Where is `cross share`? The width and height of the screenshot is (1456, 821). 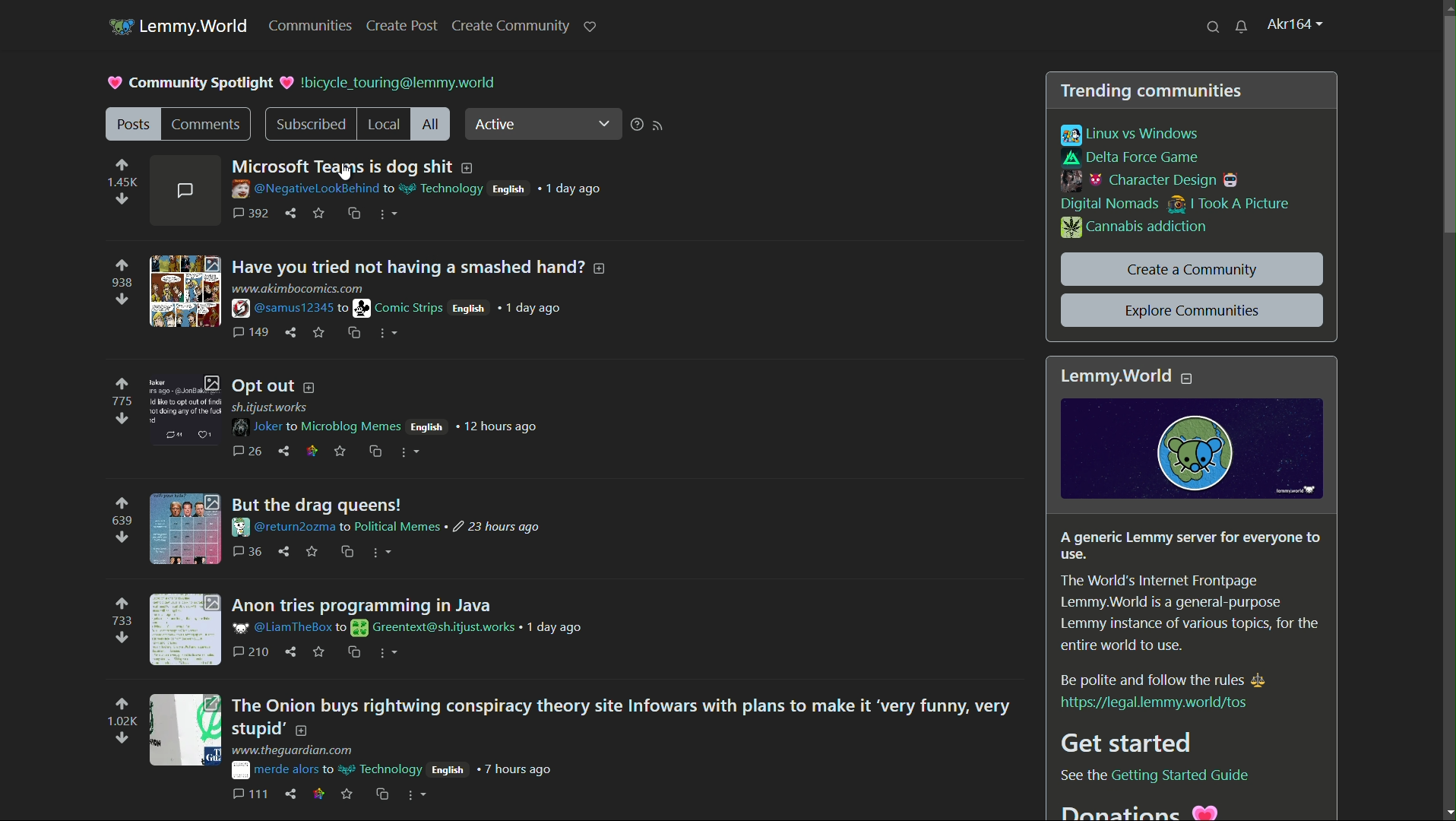
cross share is located at coordinates (354, 333).